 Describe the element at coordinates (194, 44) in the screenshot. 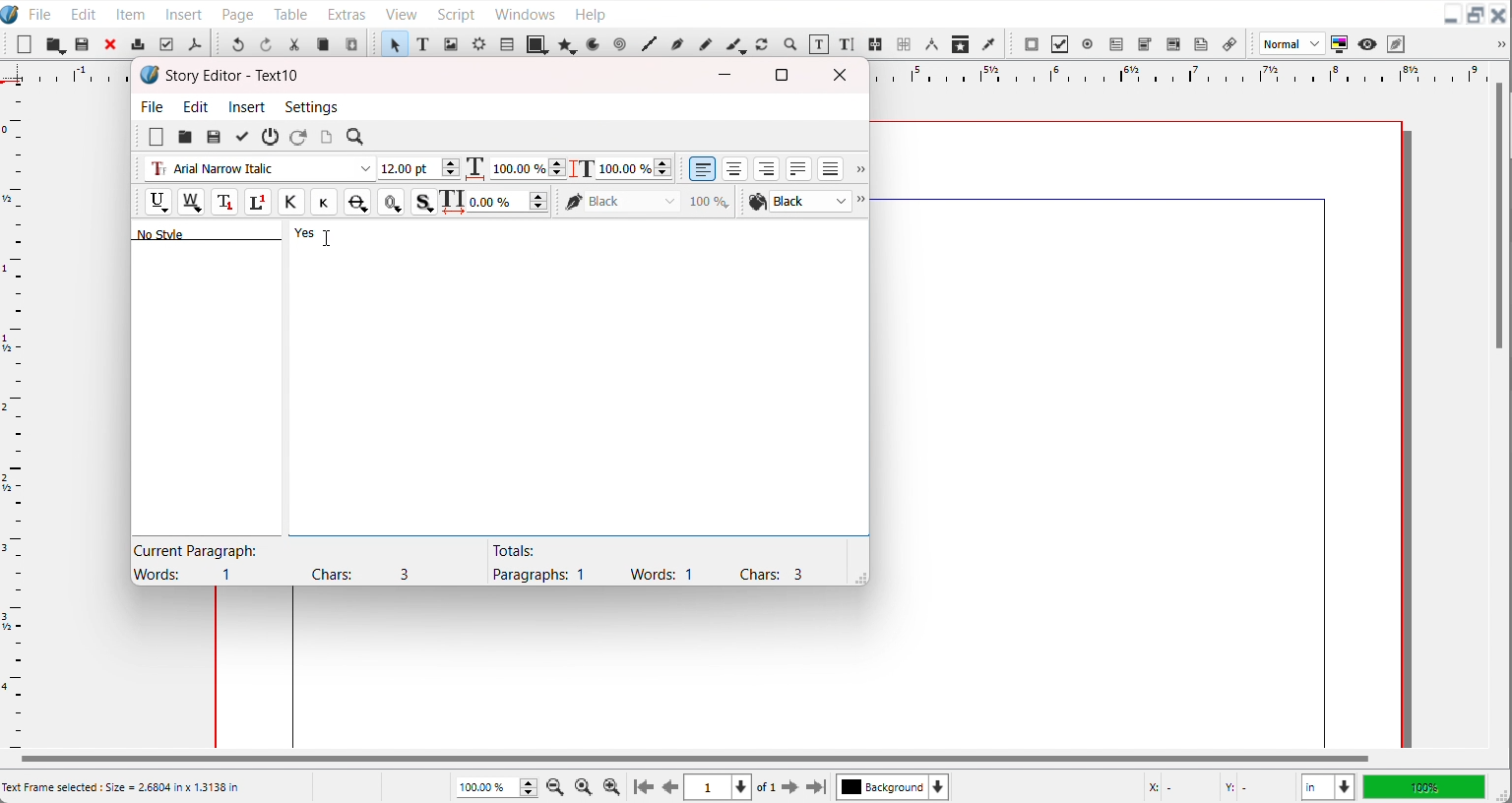

I see `Save as PDF` at that location.